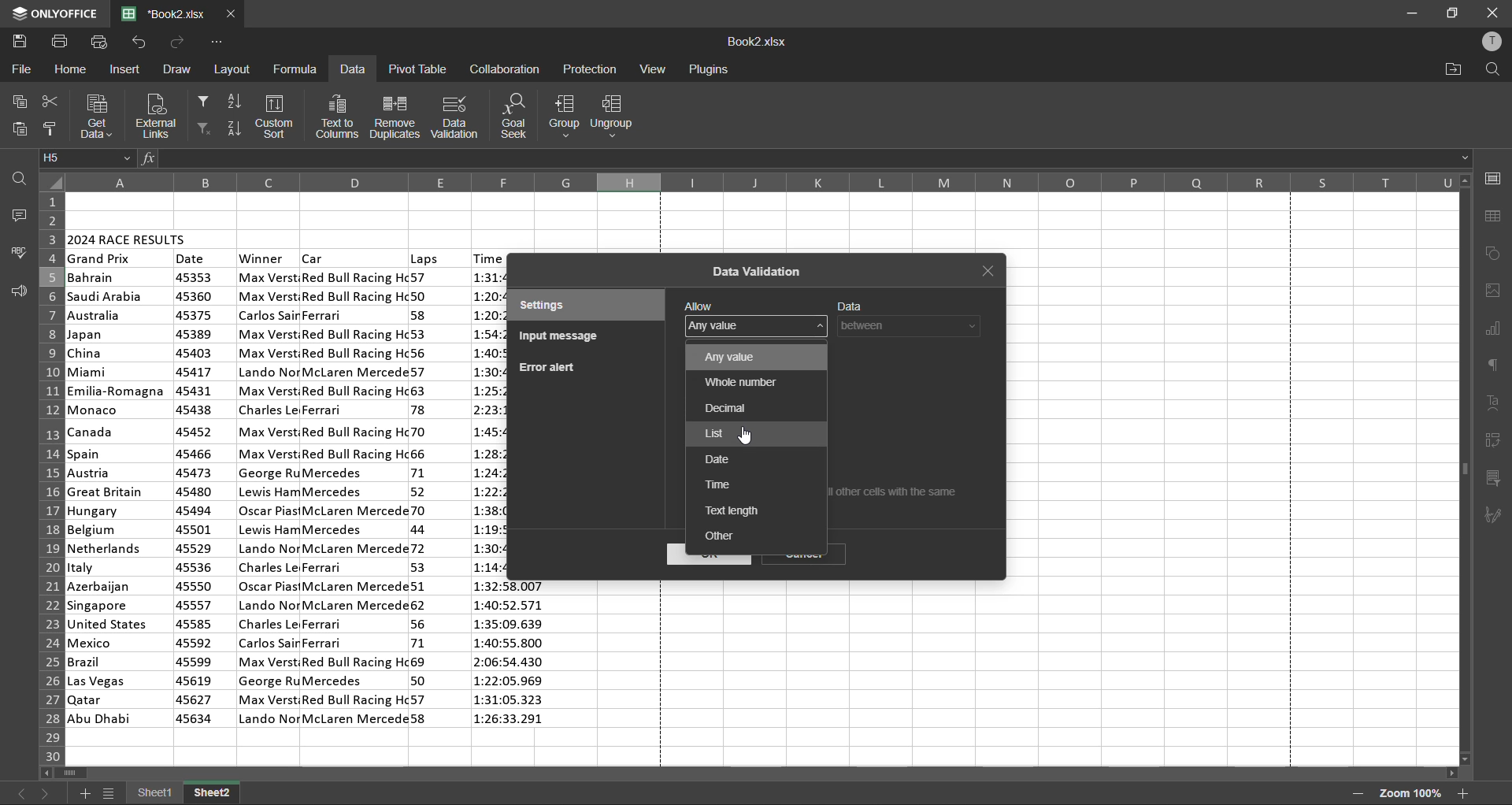 The image size is (1512, 805). I want to click on spellcheck, so click(20, 252).